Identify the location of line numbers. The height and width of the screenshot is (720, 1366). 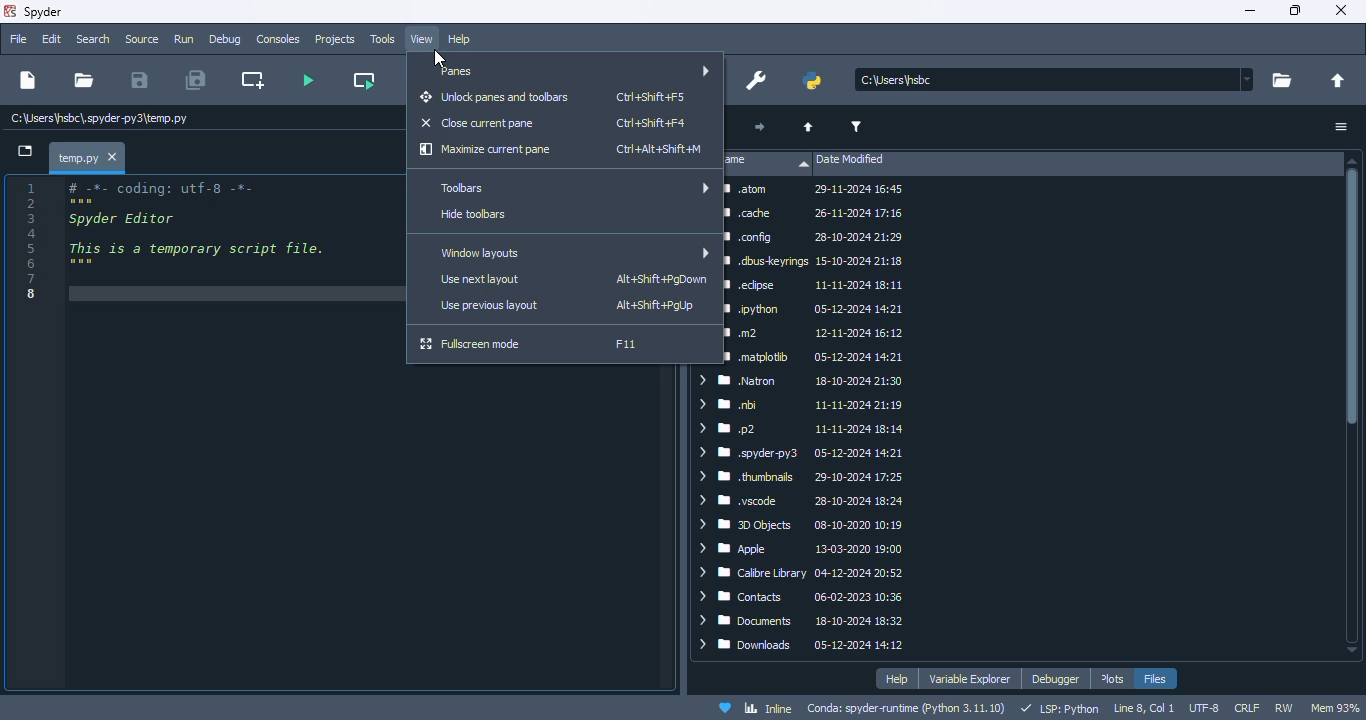
(33, 239).